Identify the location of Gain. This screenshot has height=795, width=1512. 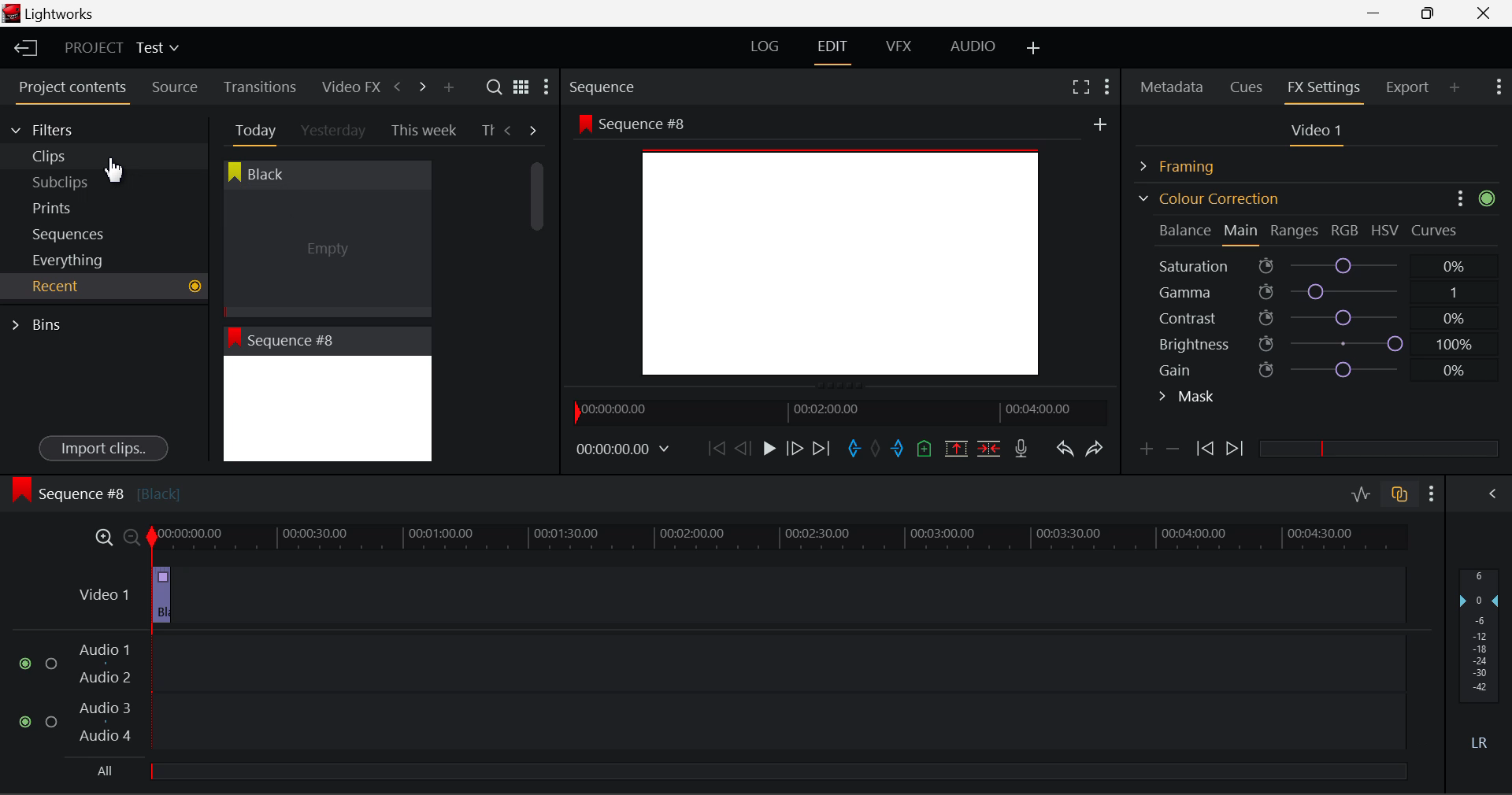
(1332, 367).